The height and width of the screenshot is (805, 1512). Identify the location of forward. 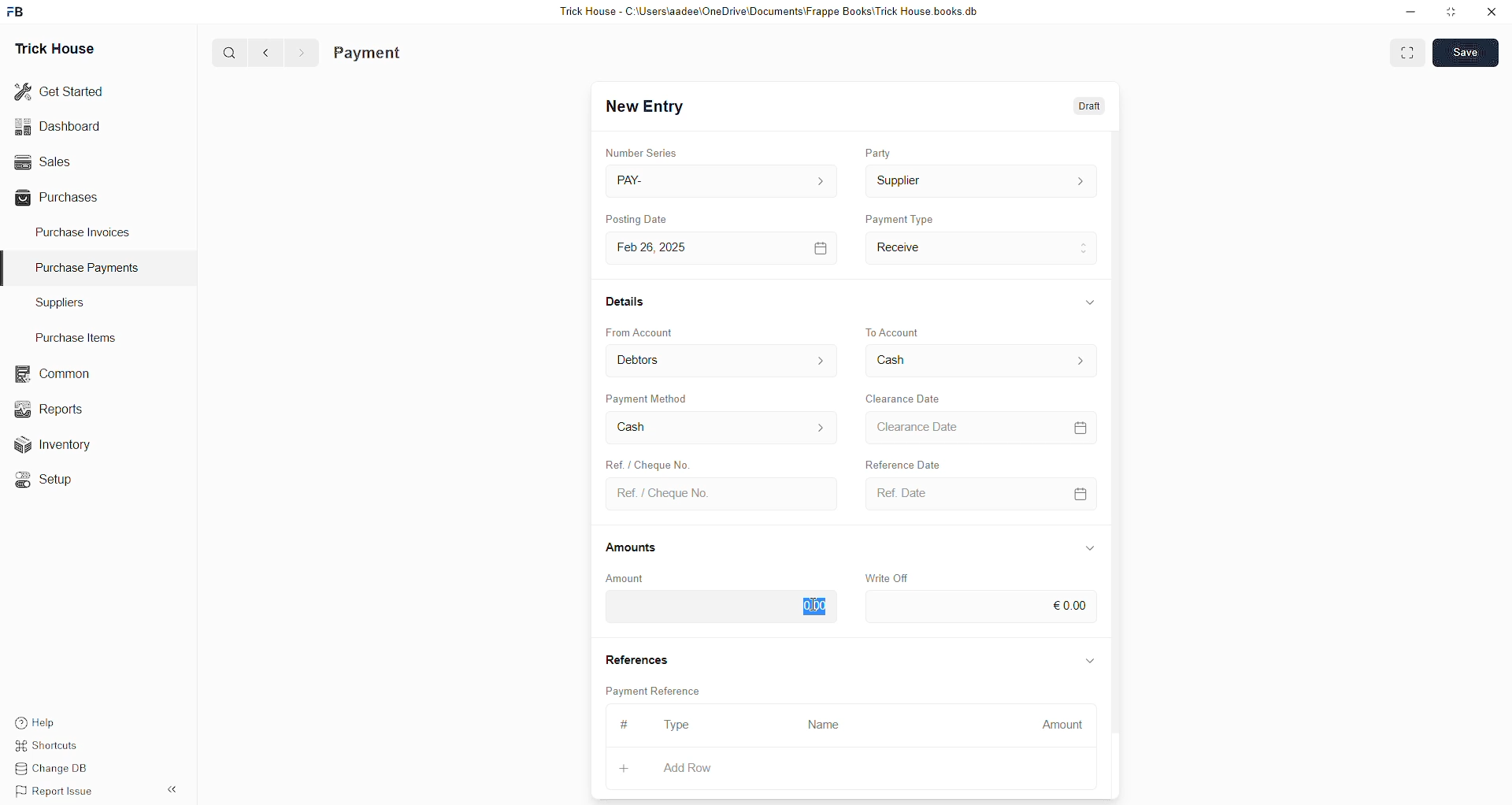
(301, 53).